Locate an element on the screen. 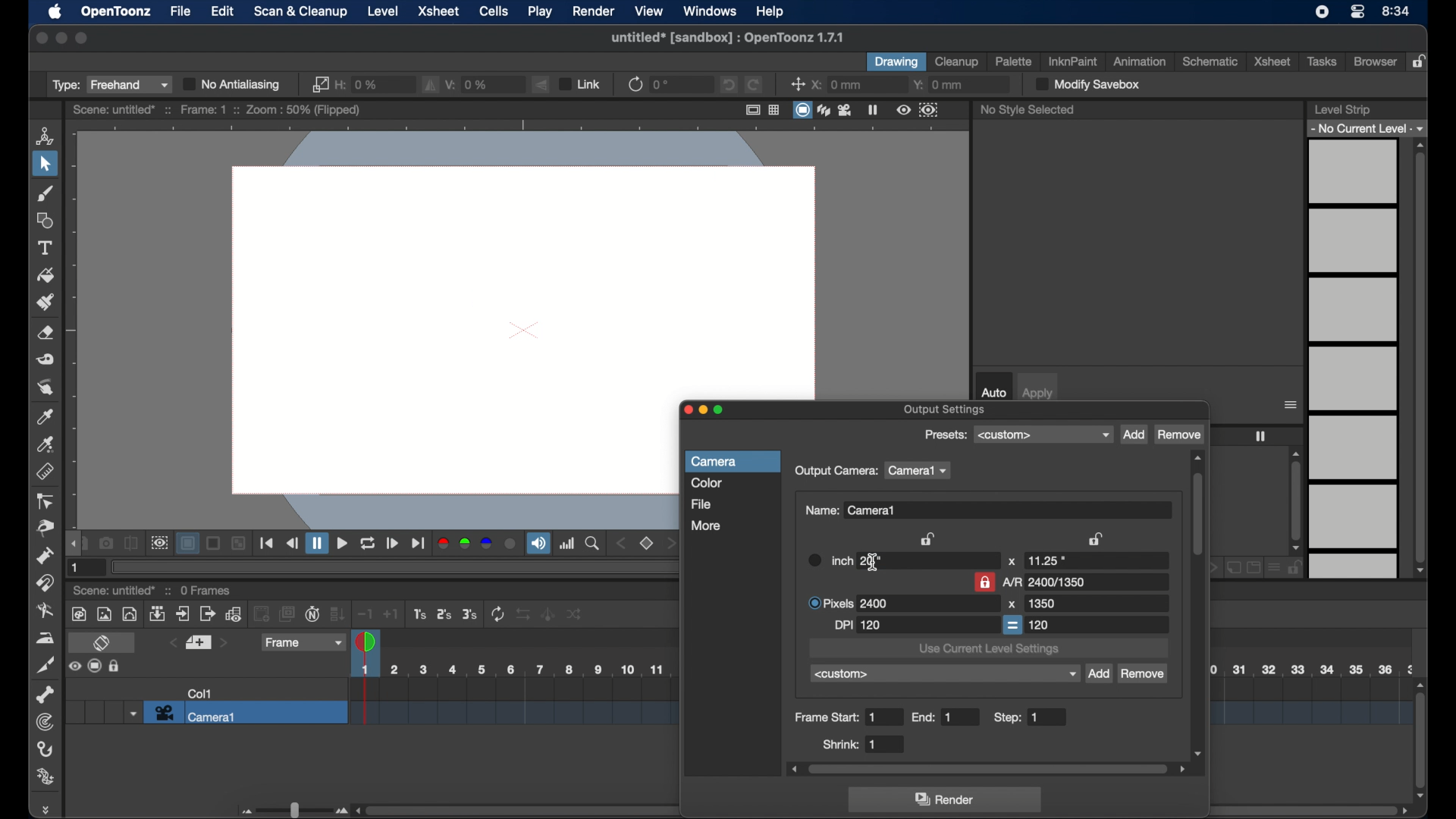  level is located at coordinates (383, 11).